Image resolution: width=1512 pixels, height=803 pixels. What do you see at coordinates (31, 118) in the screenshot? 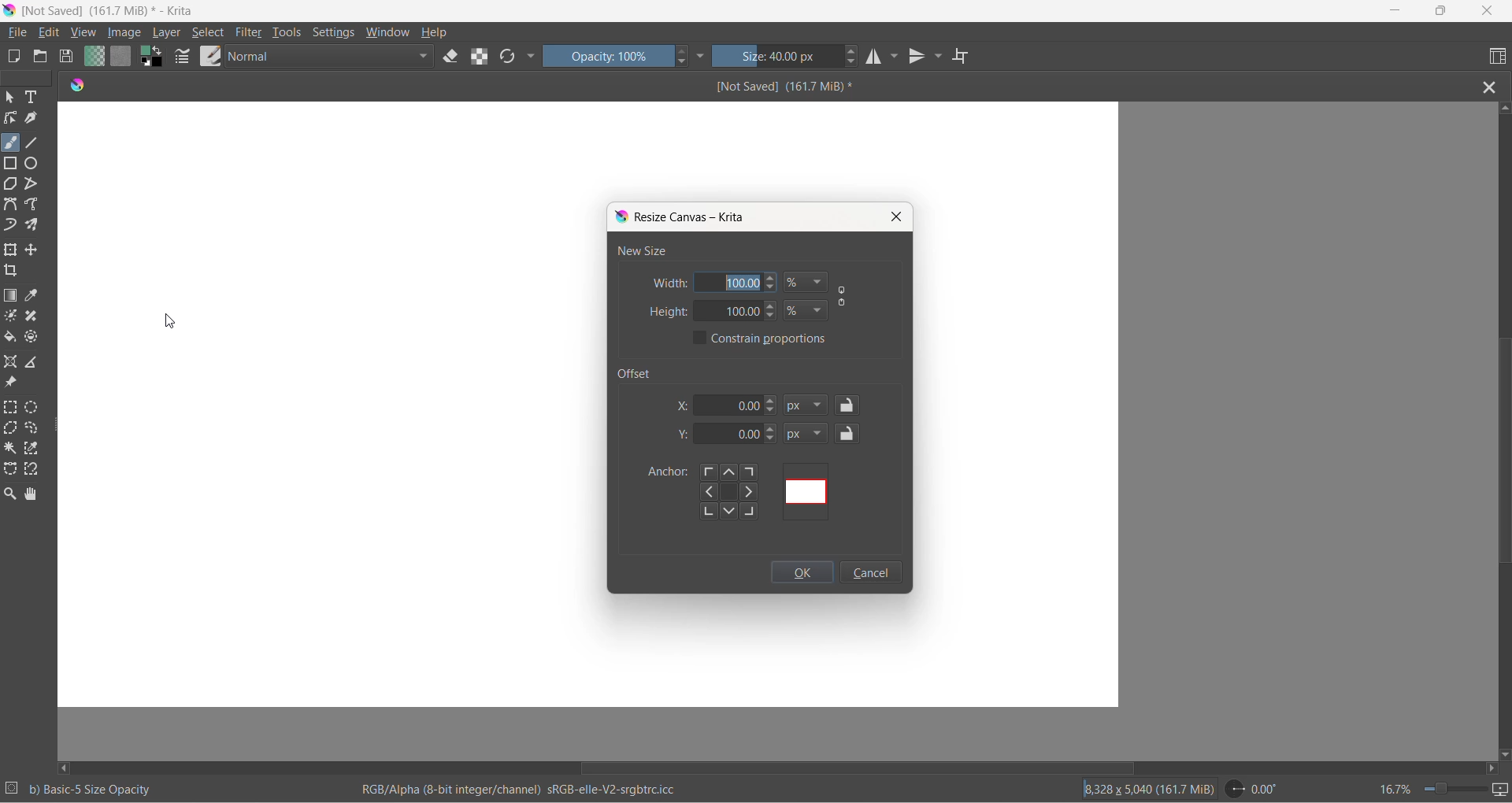
I see `calligraphy` at bounding box center [31, 118].